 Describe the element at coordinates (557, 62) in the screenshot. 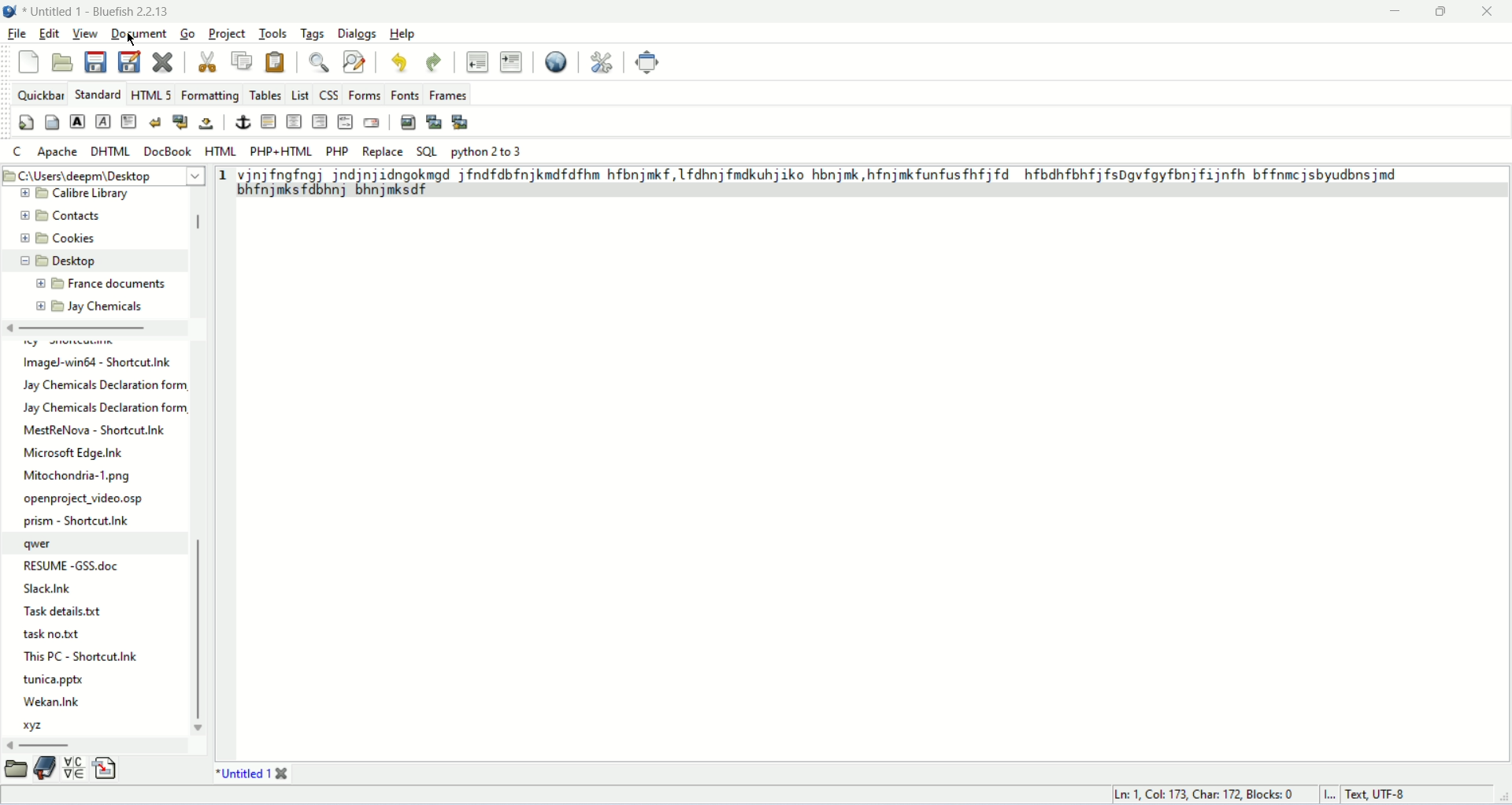

I see `preview in browser` at that location.